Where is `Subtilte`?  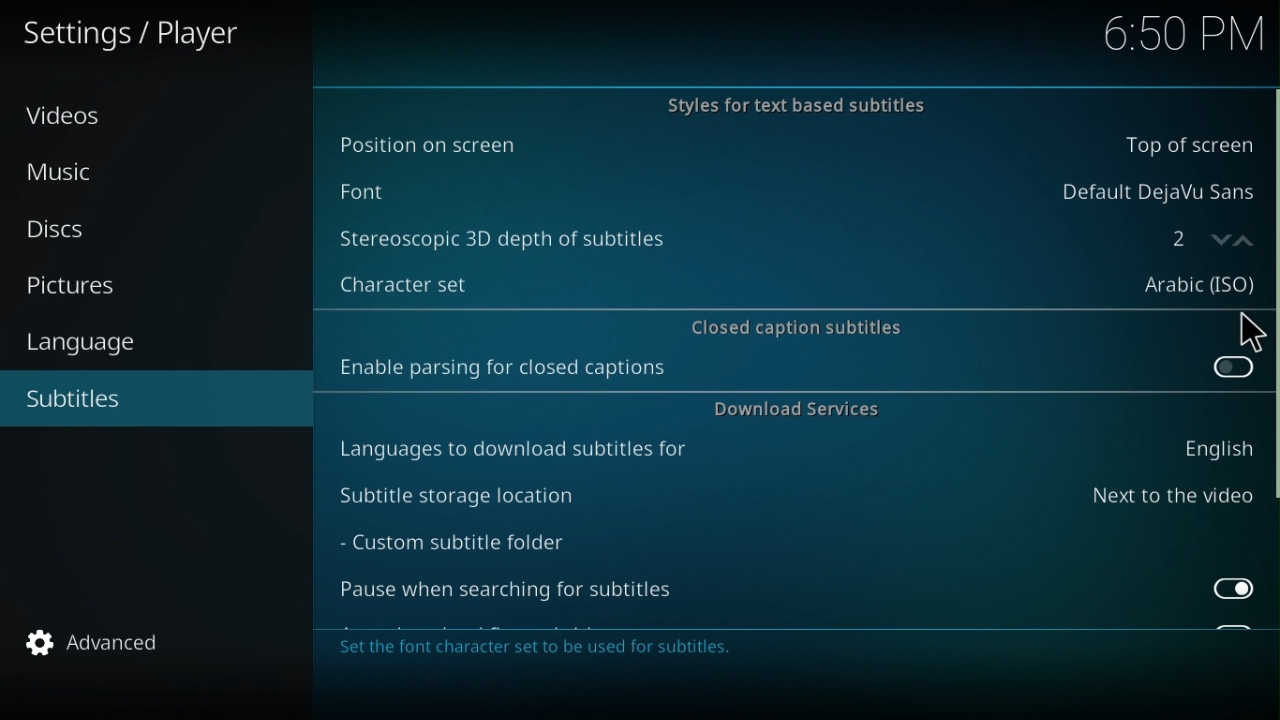 Subtilte is located at coordinates (75, 400).